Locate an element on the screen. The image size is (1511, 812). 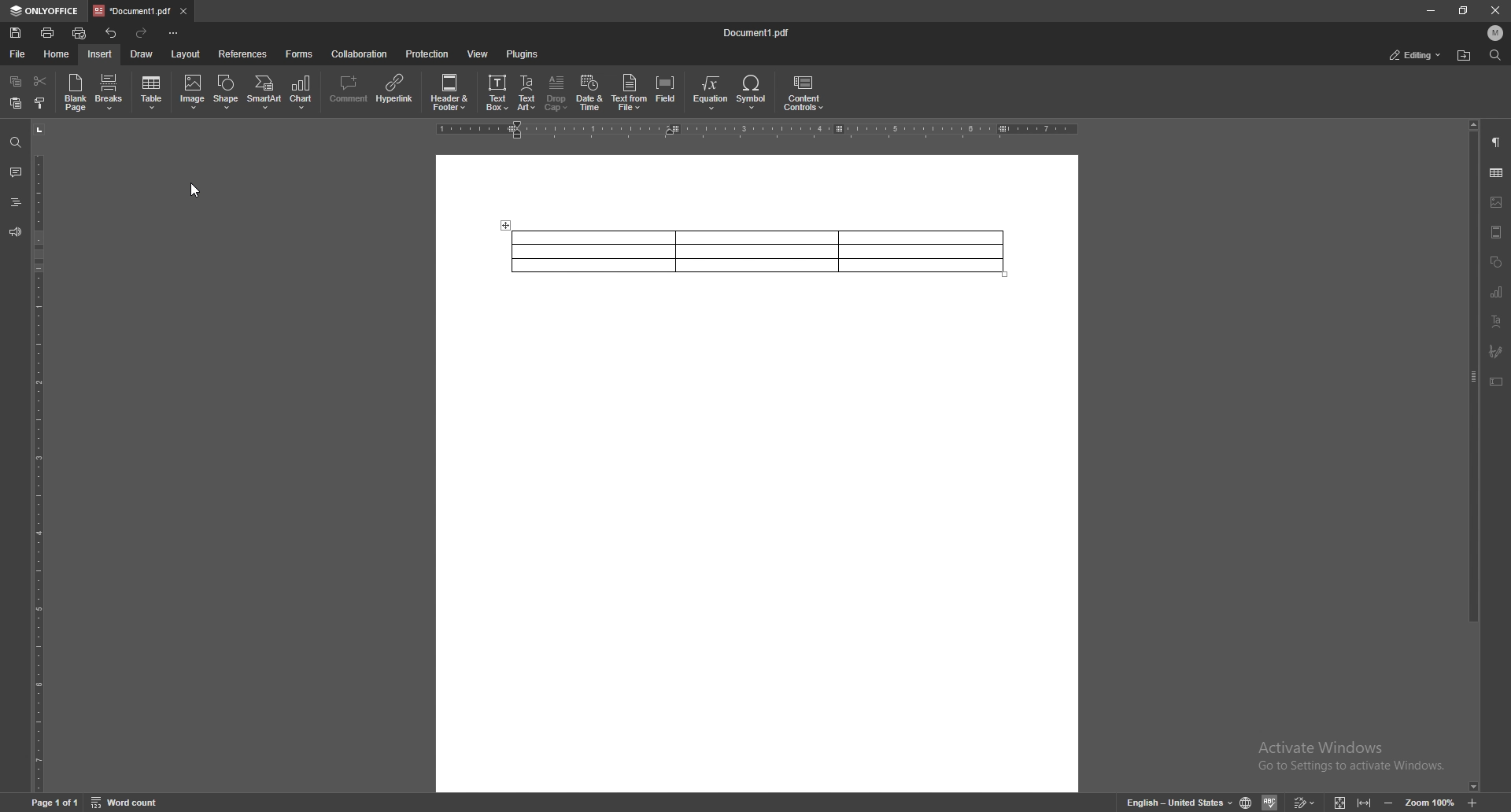
minimize is located at coordinates (1430, 11).